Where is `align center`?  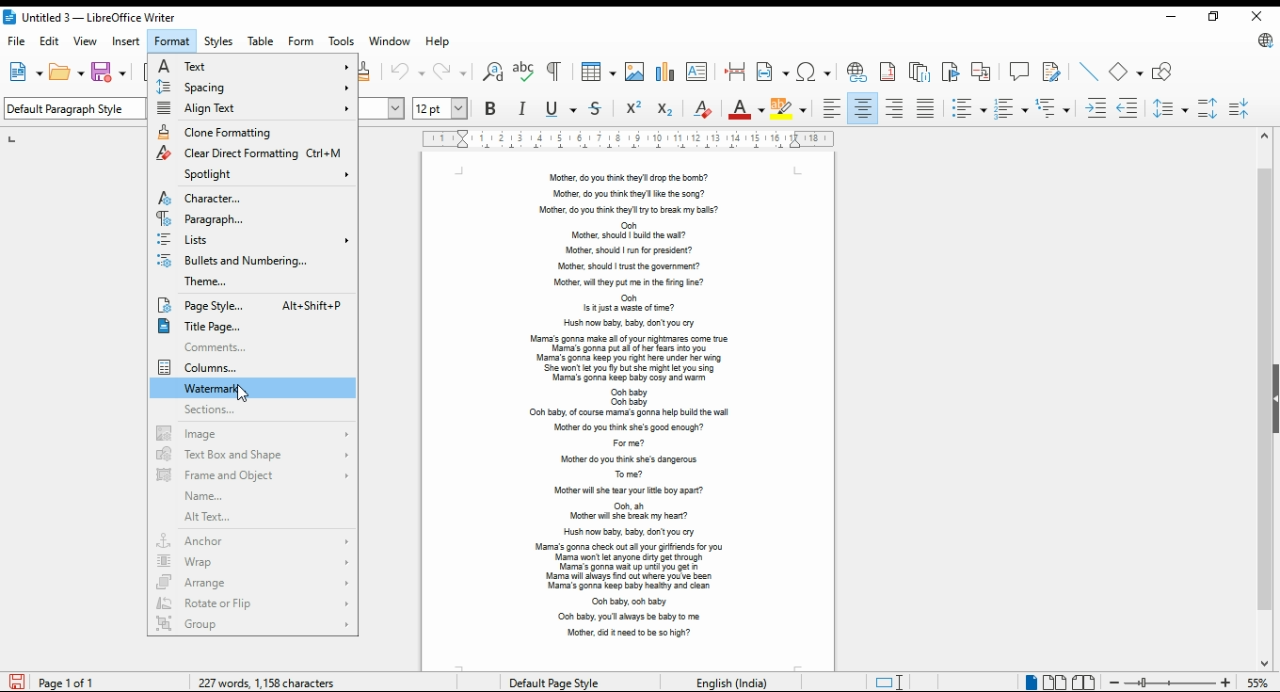 align center is located at coordinates (862, 108).